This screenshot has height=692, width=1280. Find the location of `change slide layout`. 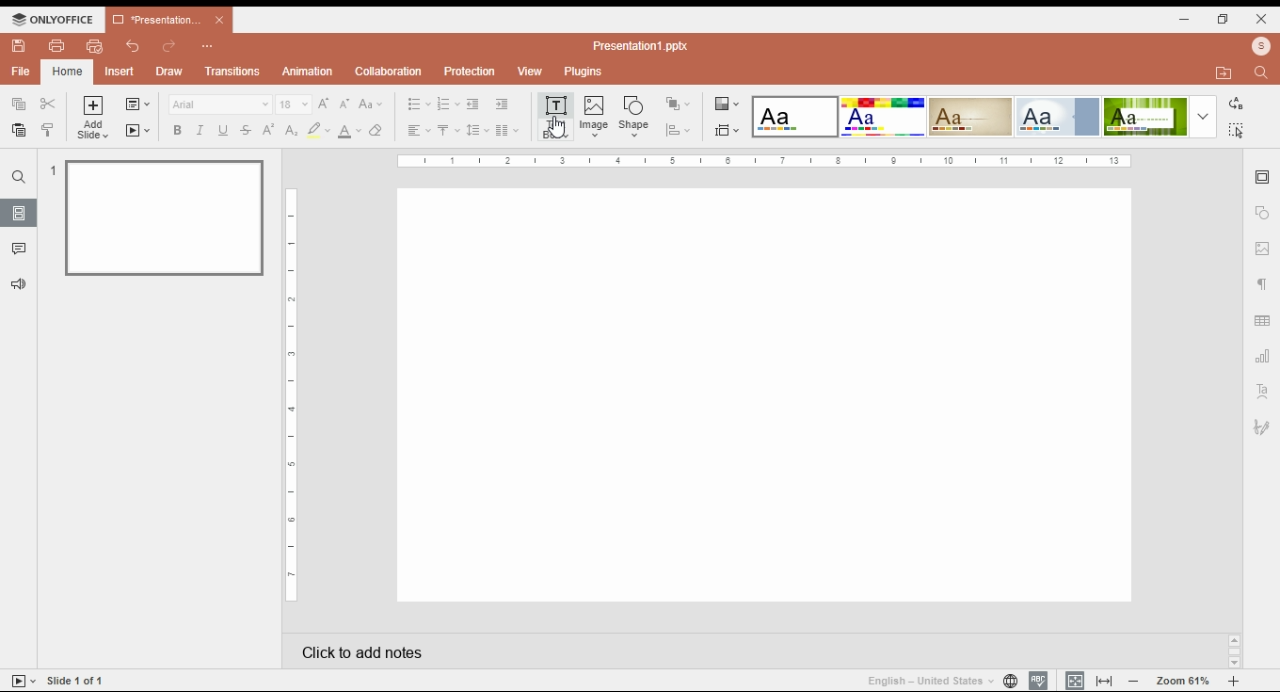

change slide layout is located at coordinates (138, 104).